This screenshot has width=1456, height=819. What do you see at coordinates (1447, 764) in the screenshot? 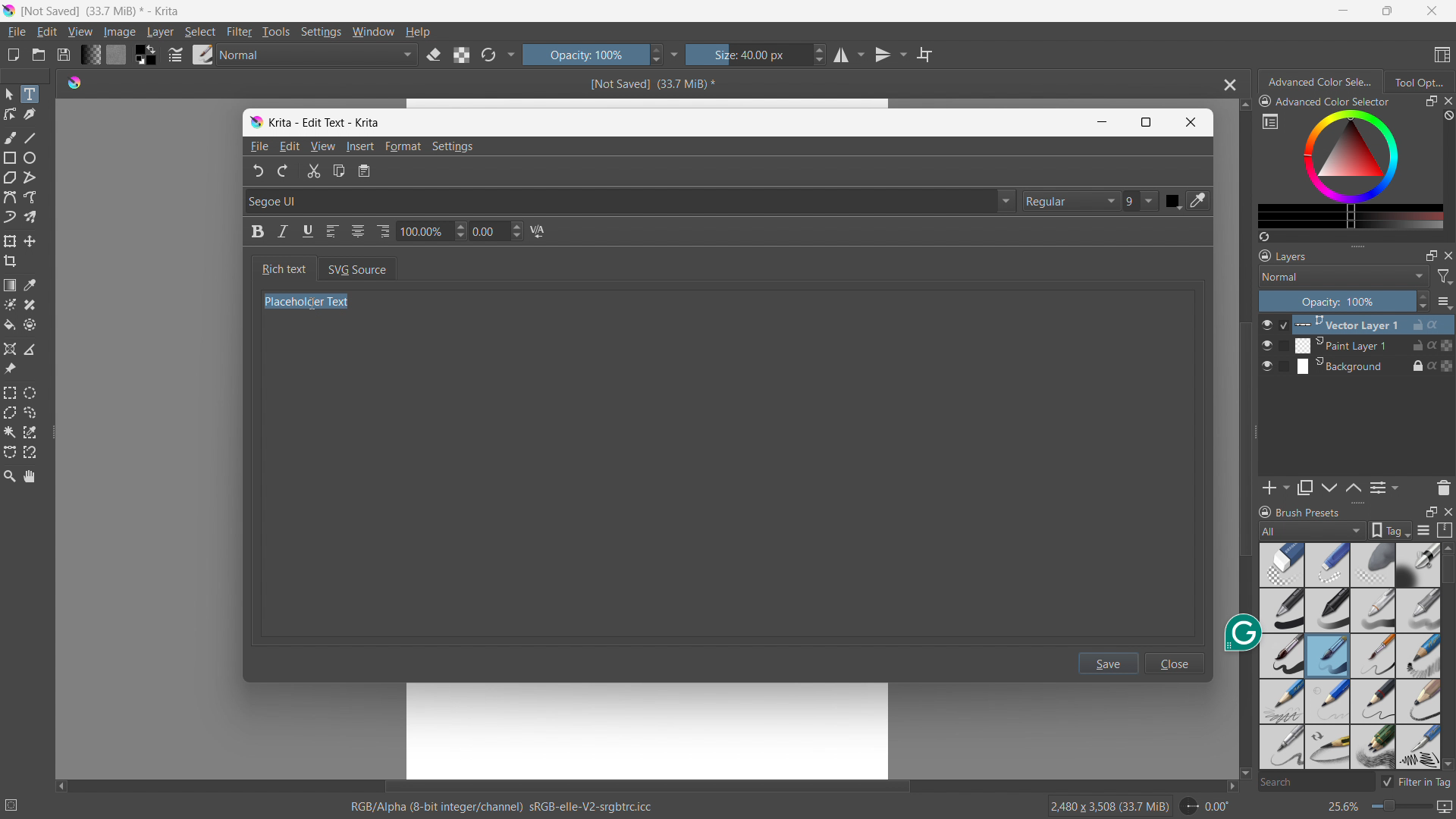
I see `scroll down` at bounding box center [1447, 764].